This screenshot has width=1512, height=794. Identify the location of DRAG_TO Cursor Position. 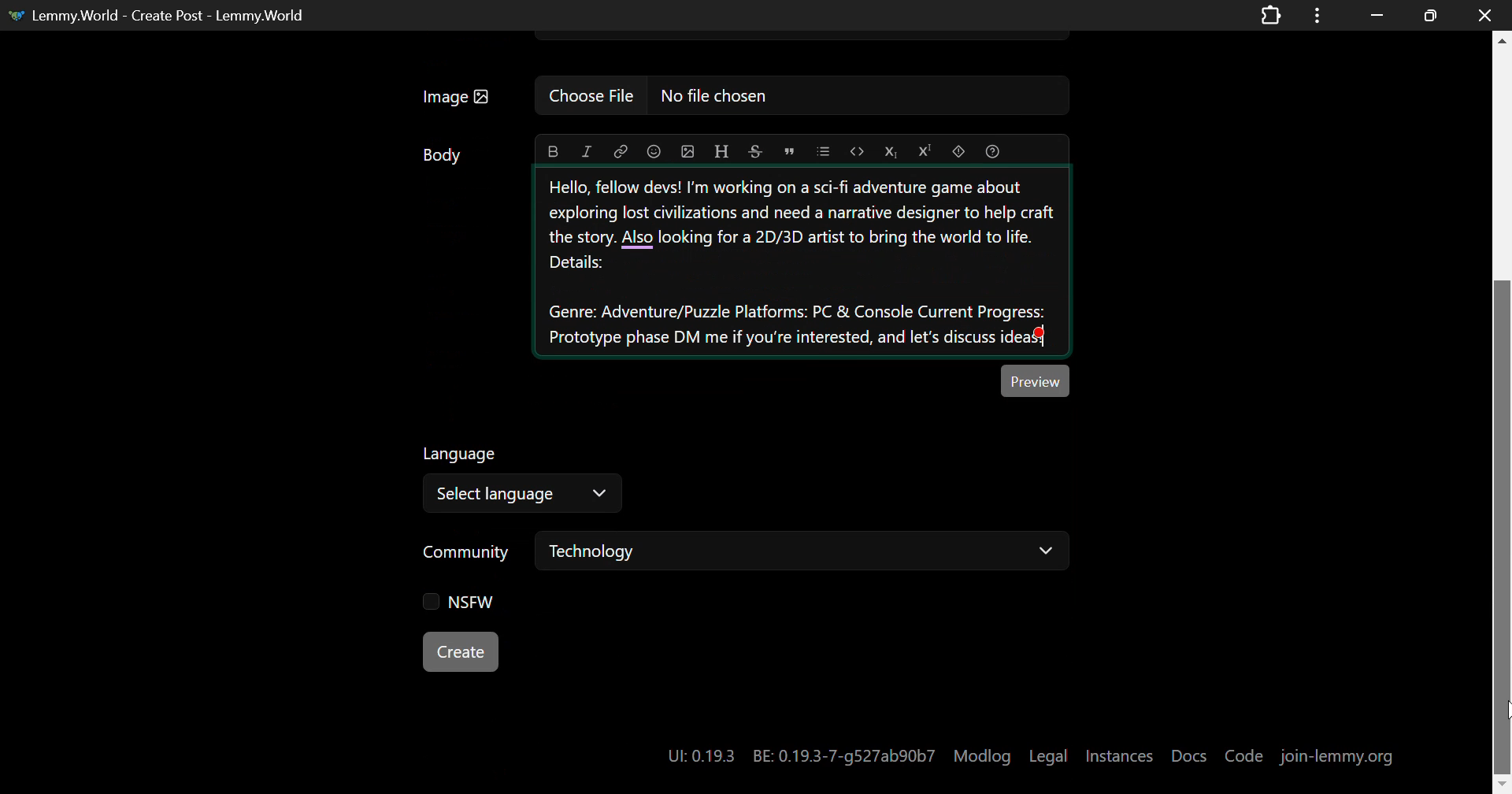
(1499, 713).